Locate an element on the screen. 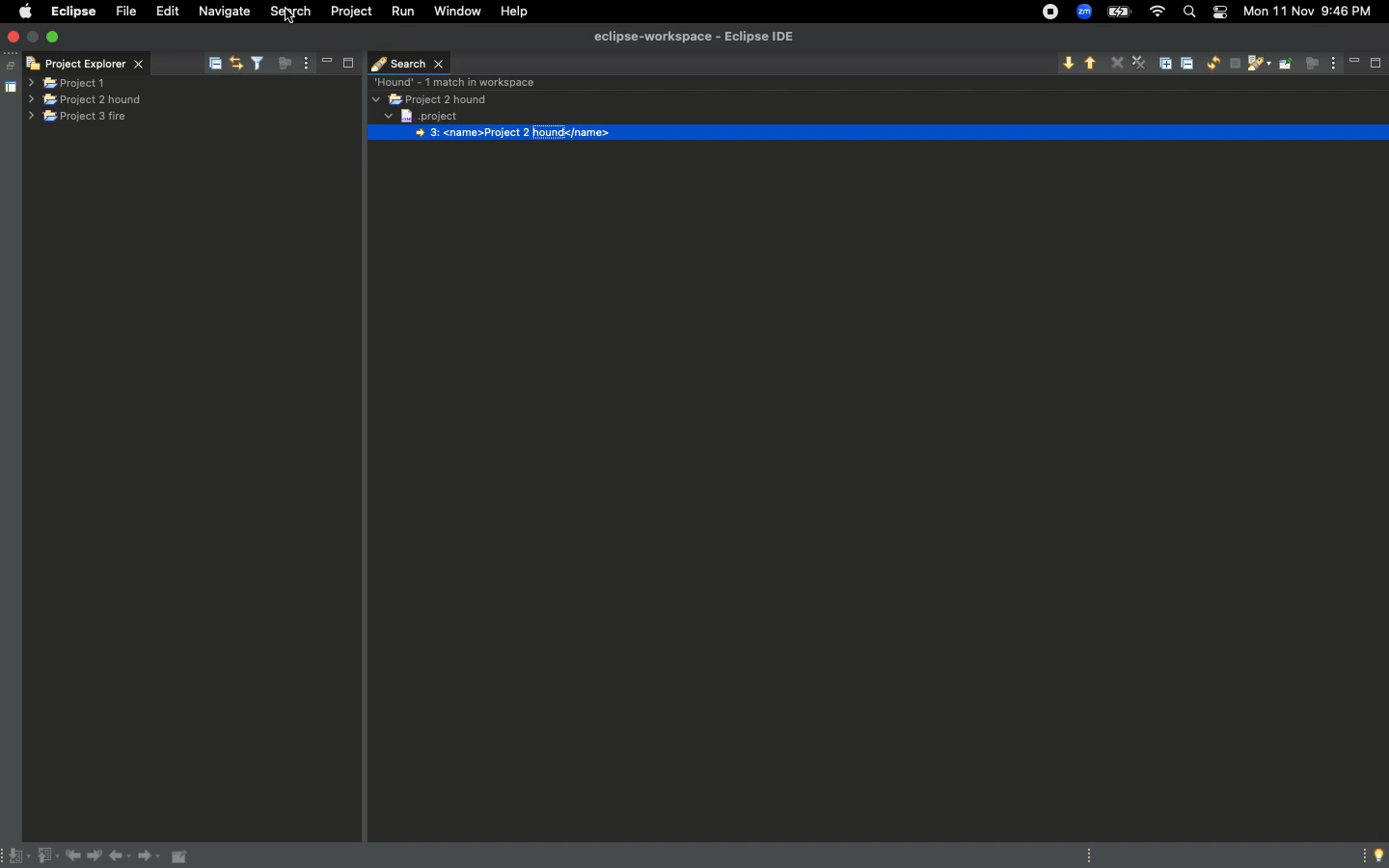 This screenshot has width=1389, height=868. minimise is located at coordinates (35, 38).